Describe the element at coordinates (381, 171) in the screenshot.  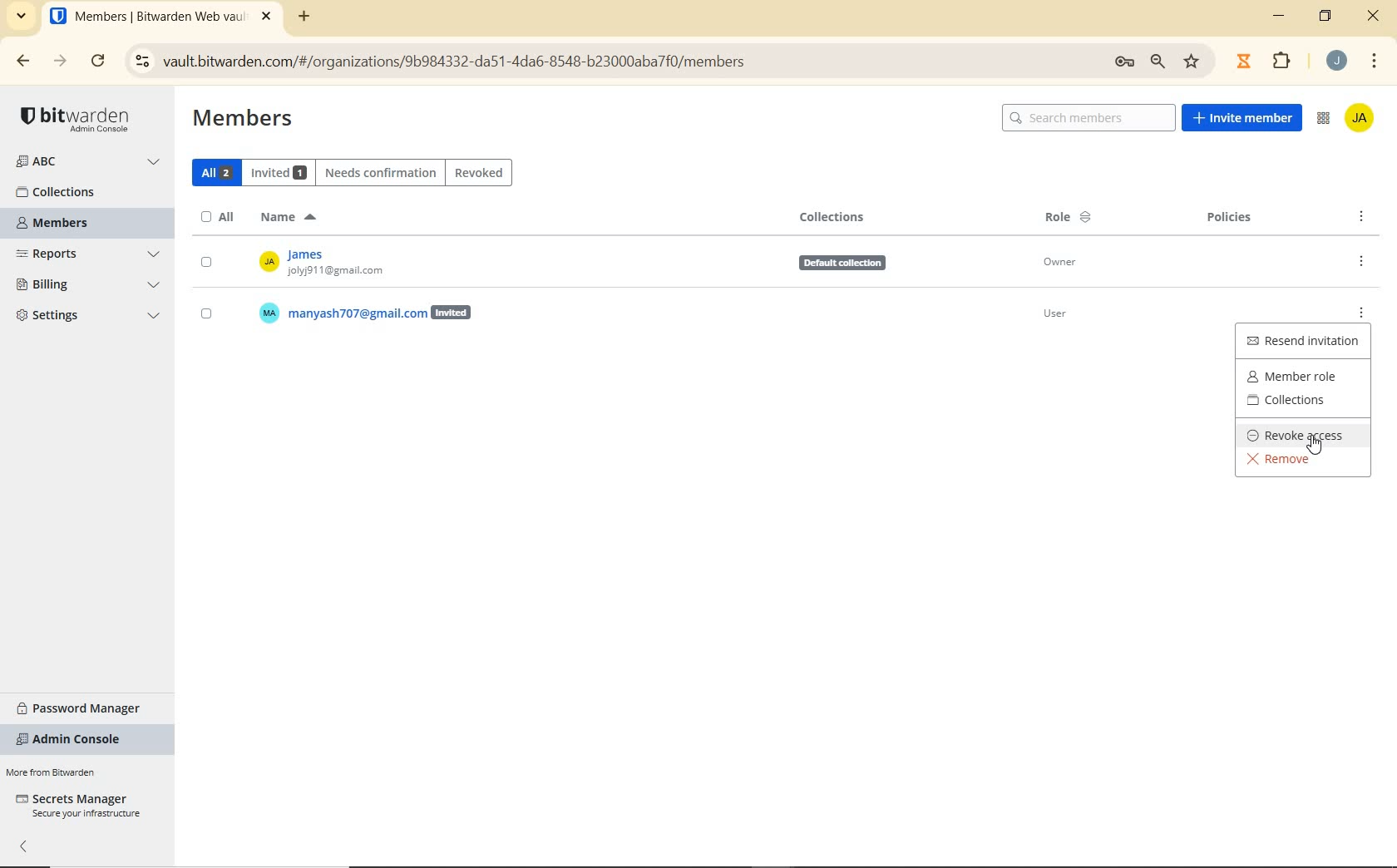
I see `NEEDS CONFIRMATION` at that location.